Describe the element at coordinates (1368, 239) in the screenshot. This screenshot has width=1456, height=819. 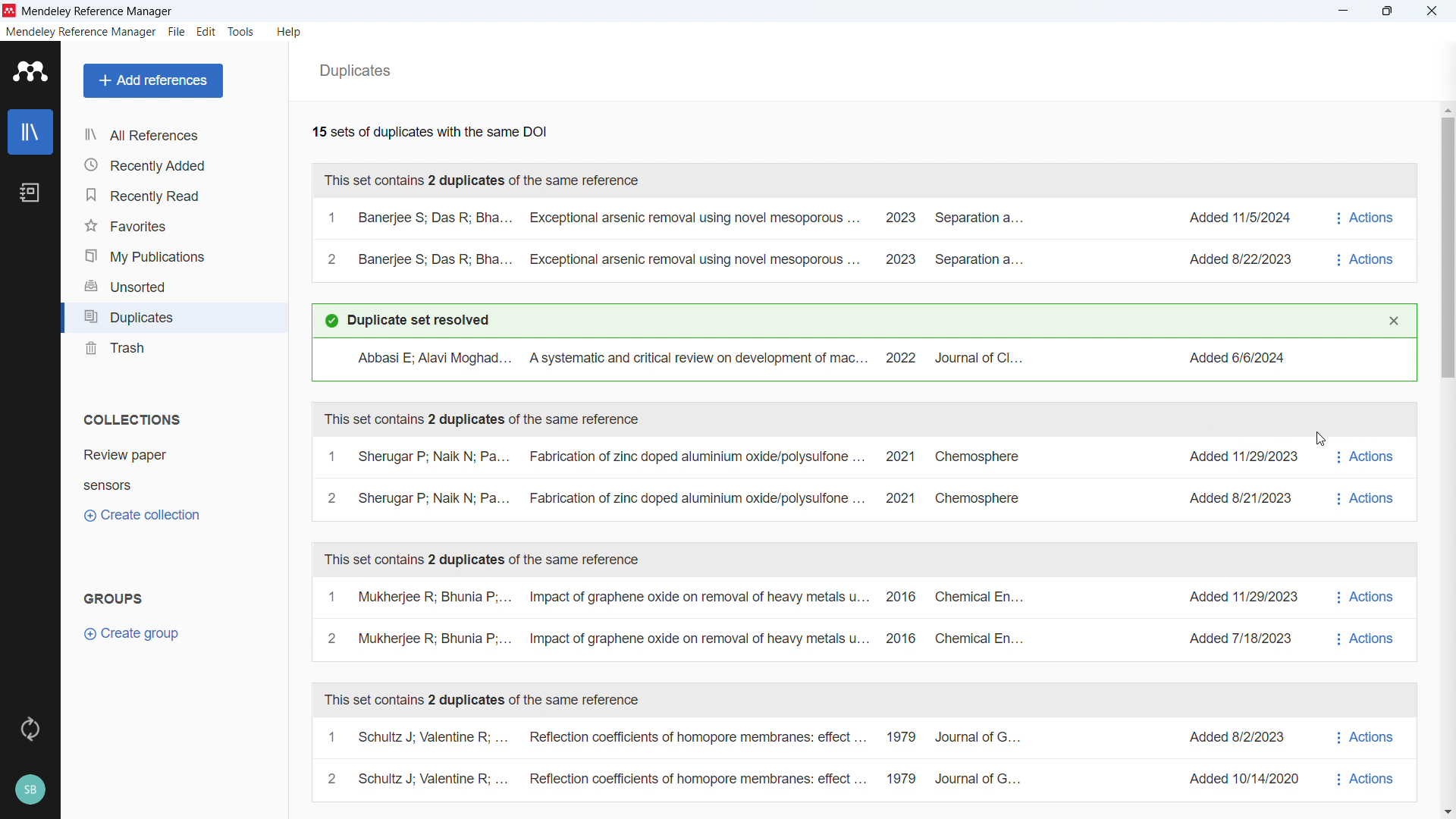
I see `Actions ` at that location.